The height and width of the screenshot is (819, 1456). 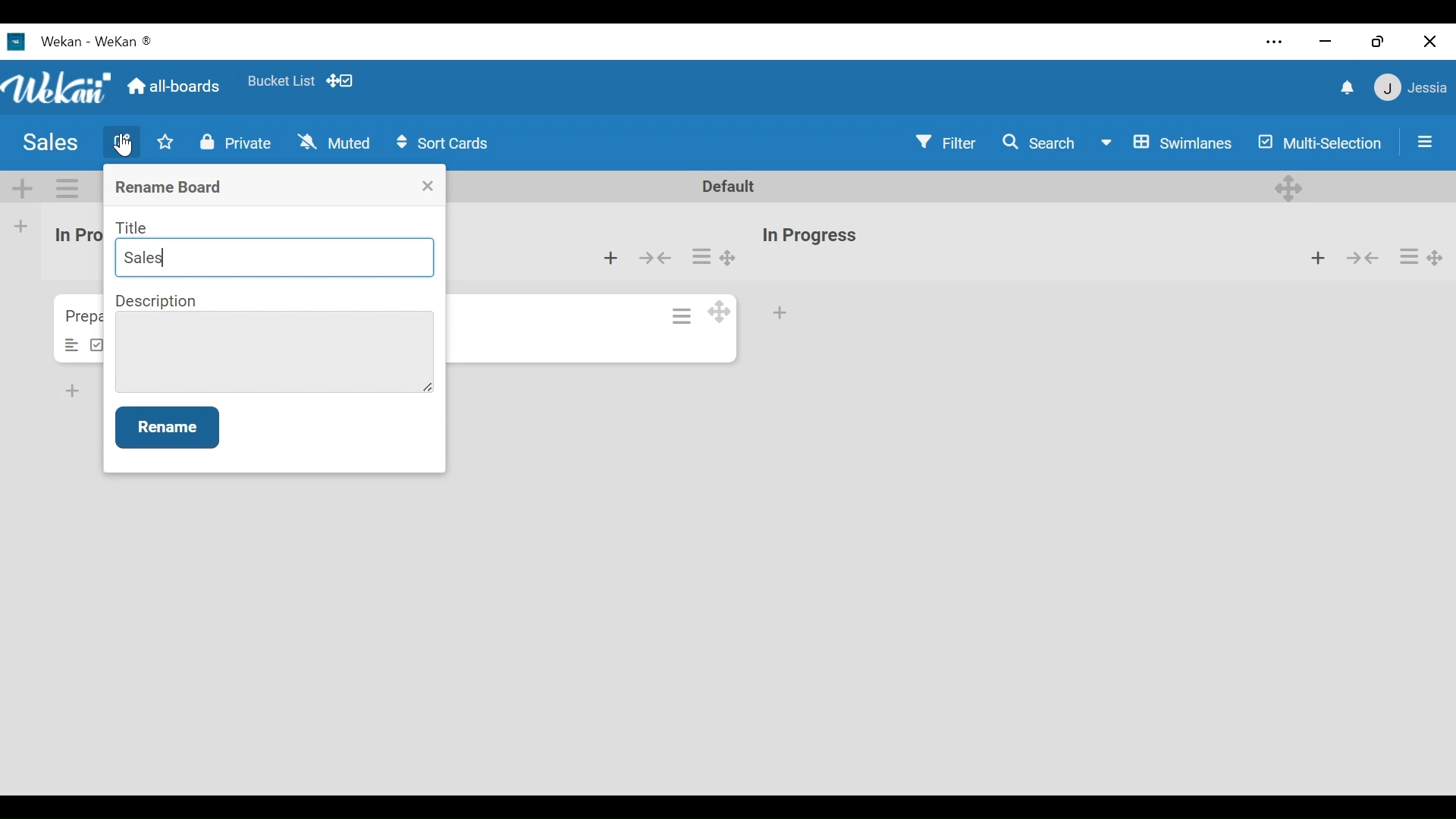 I want to click on notifications, so click(x=1349, y=88).